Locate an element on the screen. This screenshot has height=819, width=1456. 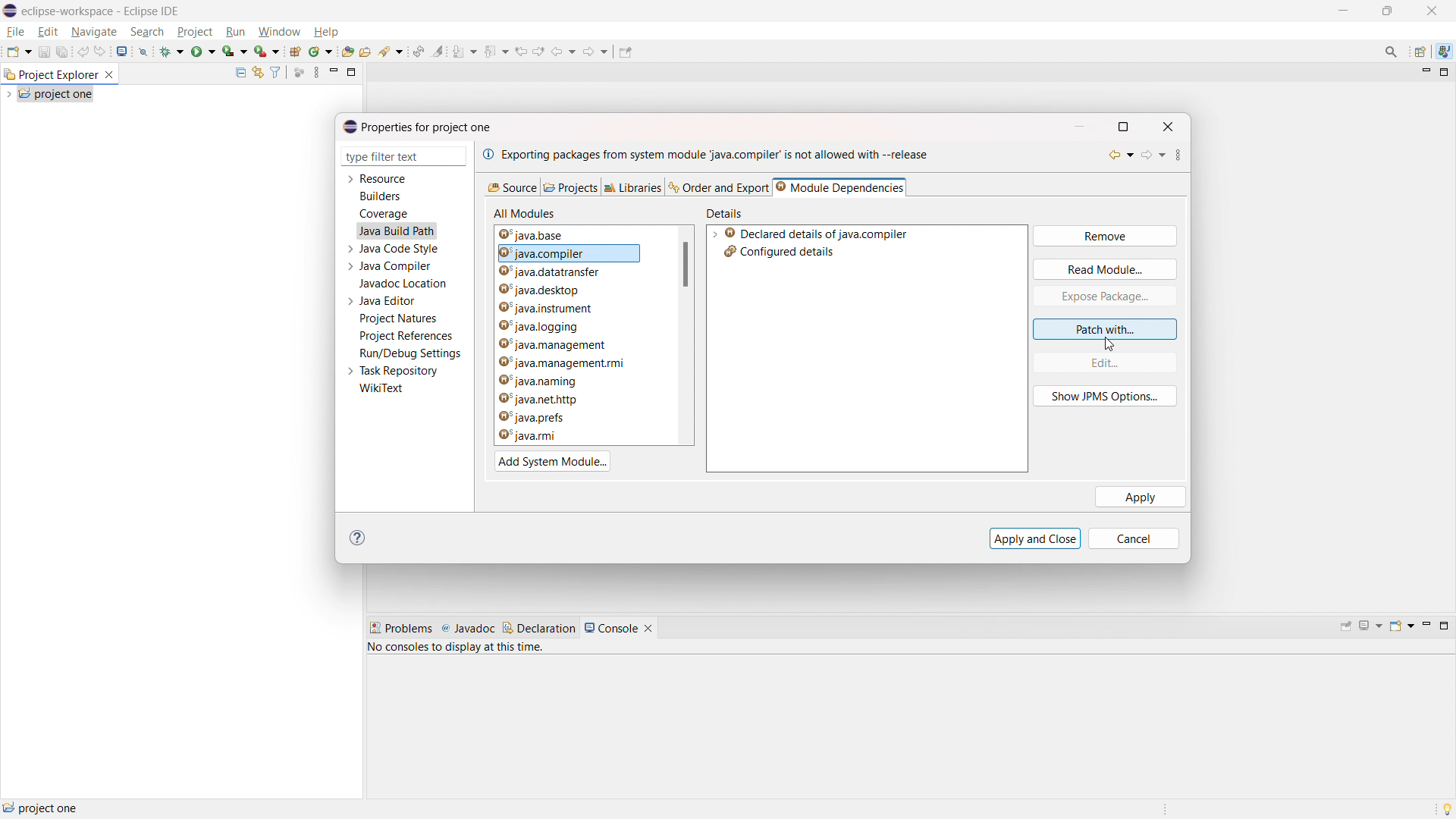
resource is located at coordinates (384, 178).